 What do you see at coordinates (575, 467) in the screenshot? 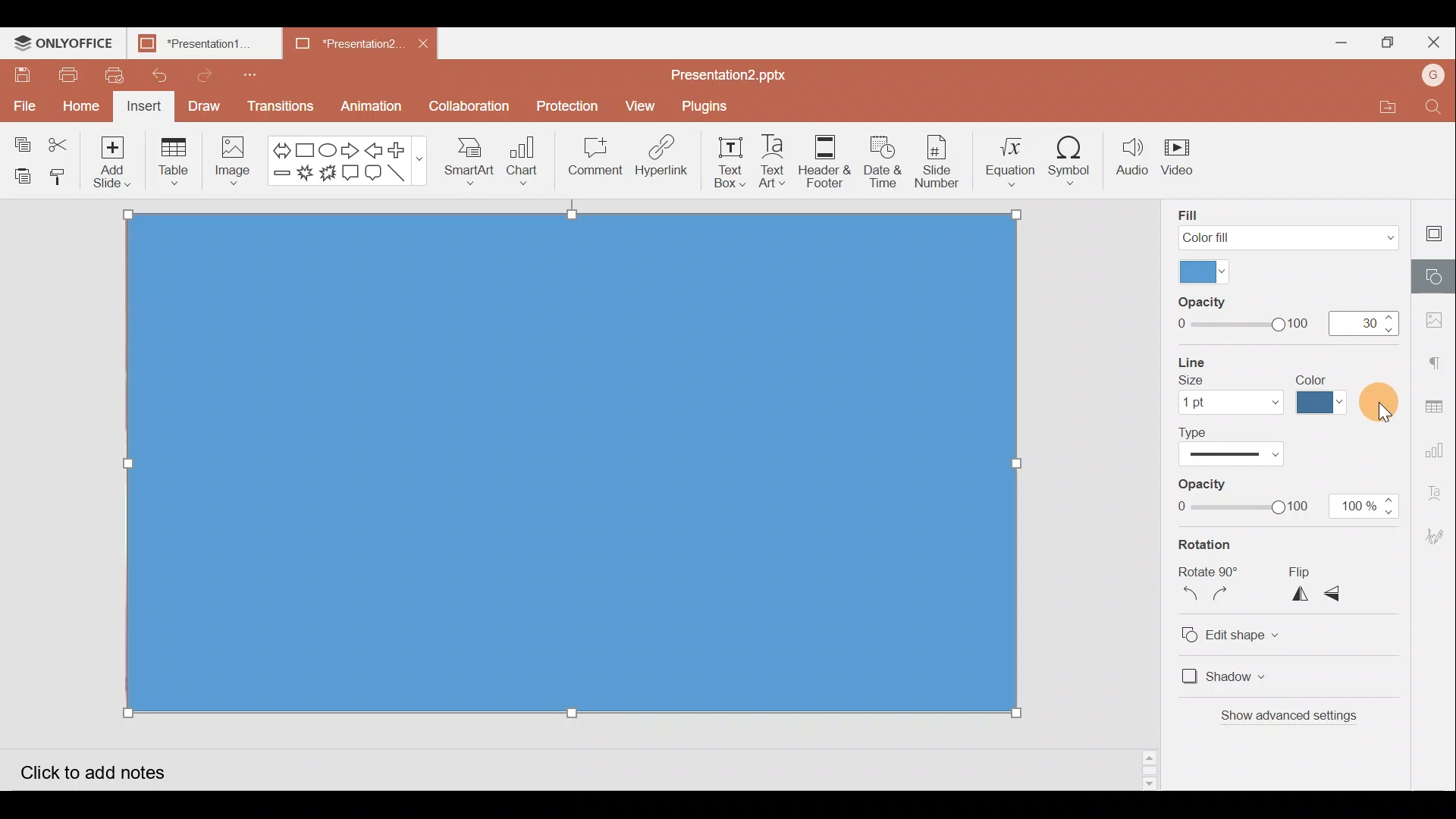
I see `Rectangle shape on background image` at bounding box center [575, 467].